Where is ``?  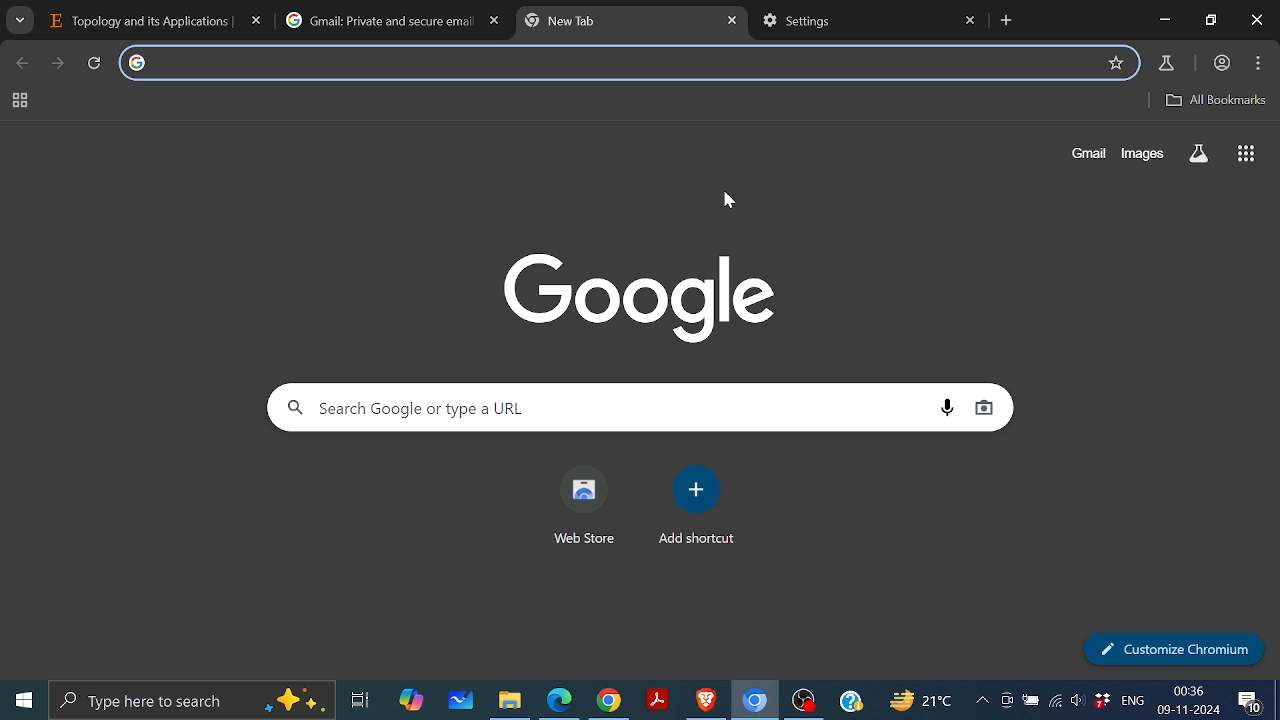
 is located at coordinates (1143, 154).